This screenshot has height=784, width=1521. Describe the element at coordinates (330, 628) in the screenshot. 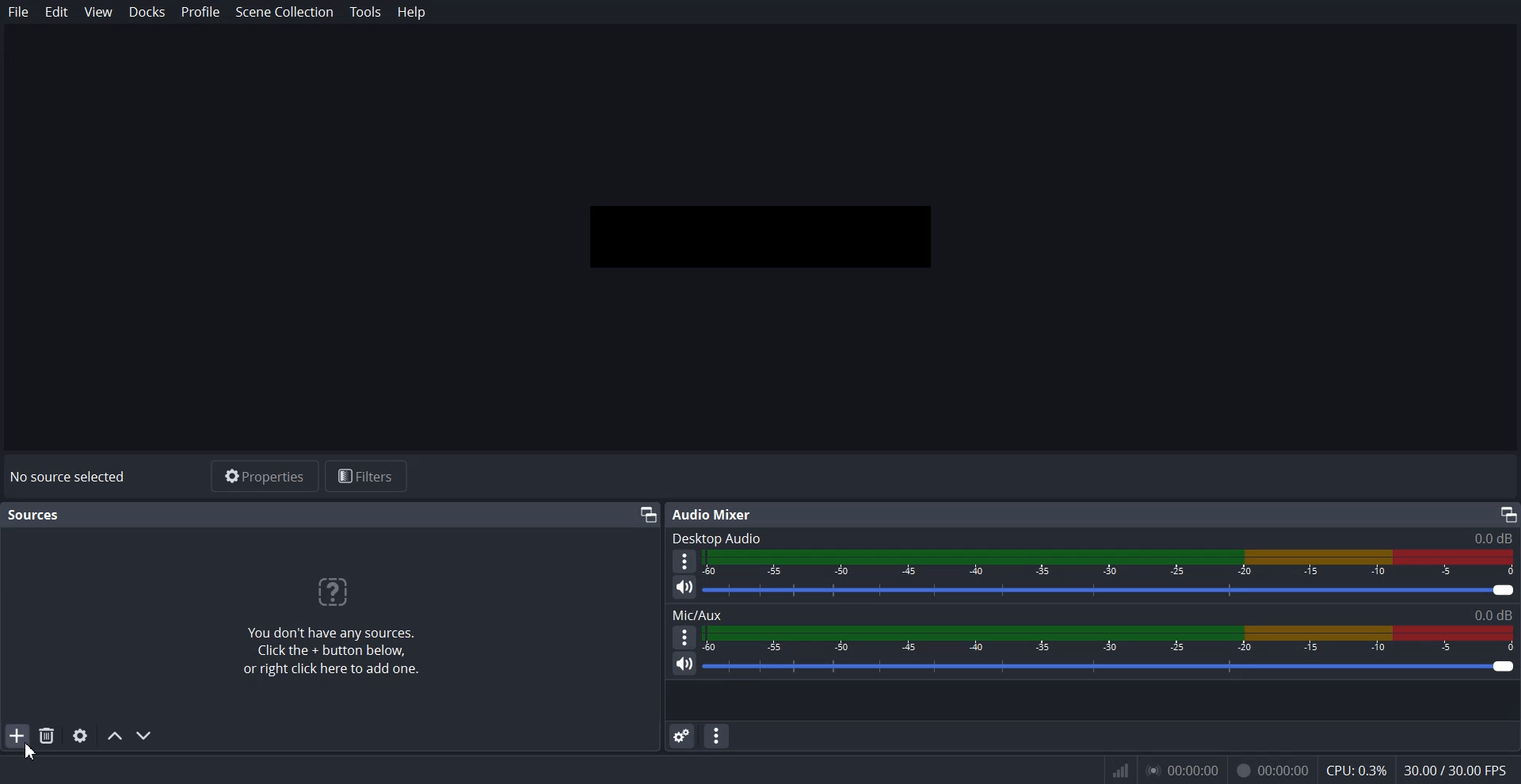

I see `Text 1` at that location.